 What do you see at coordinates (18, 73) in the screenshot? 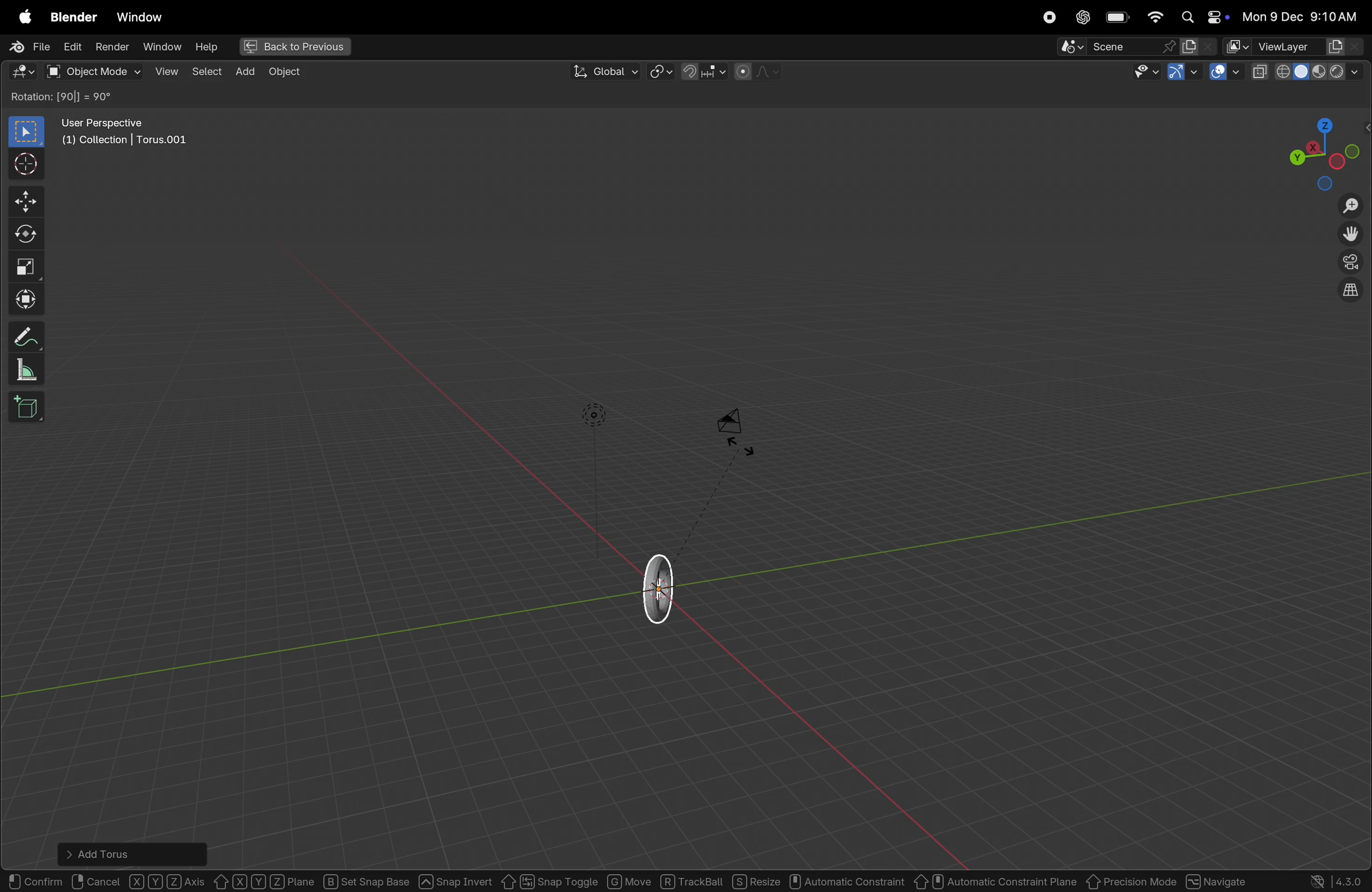
I see `editor type` at bounding box center [18, 73].